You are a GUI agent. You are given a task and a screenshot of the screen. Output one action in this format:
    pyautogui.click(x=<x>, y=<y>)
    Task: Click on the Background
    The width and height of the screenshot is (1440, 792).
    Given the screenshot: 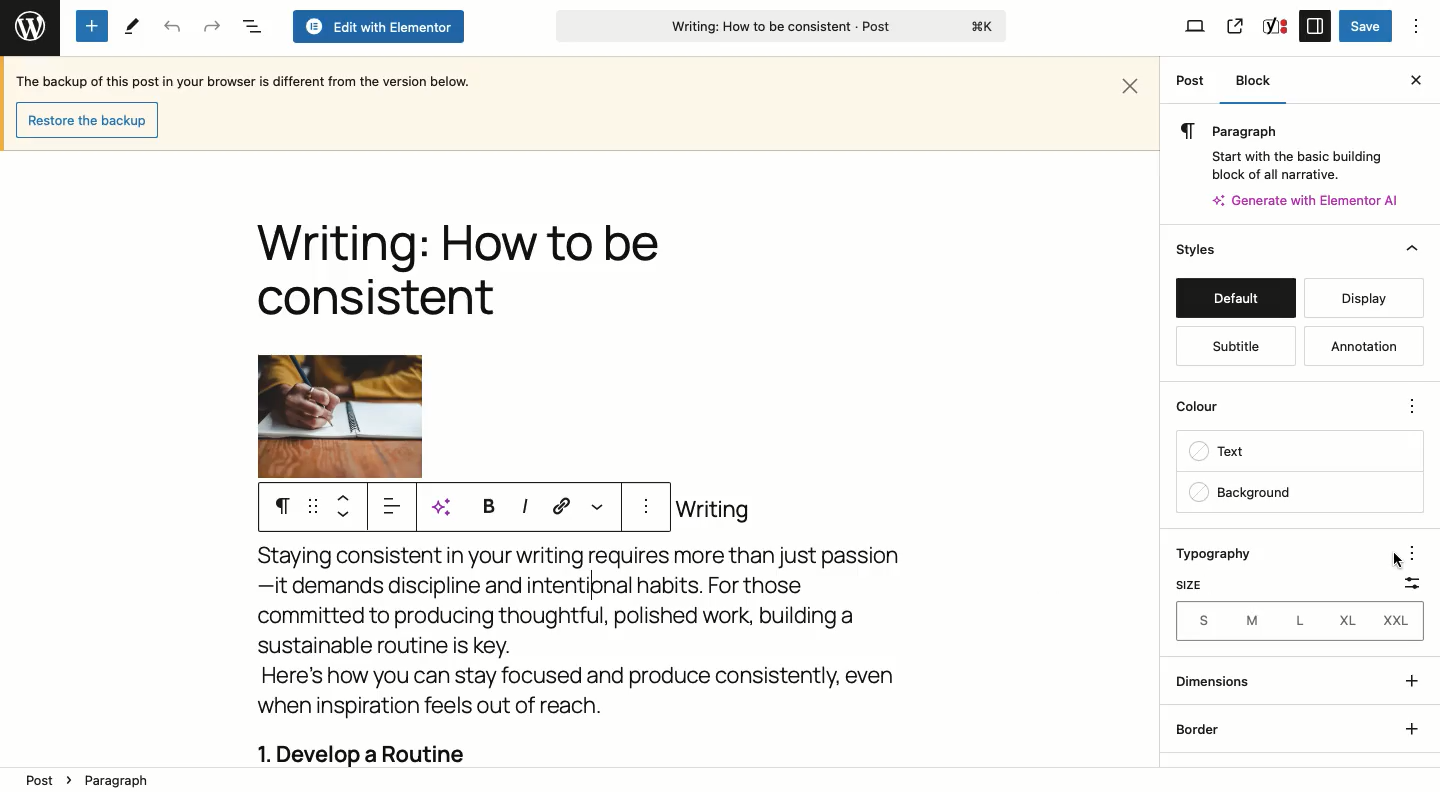 What is the action you would take?
    pyautogui.click(x=1298, y=492)
    